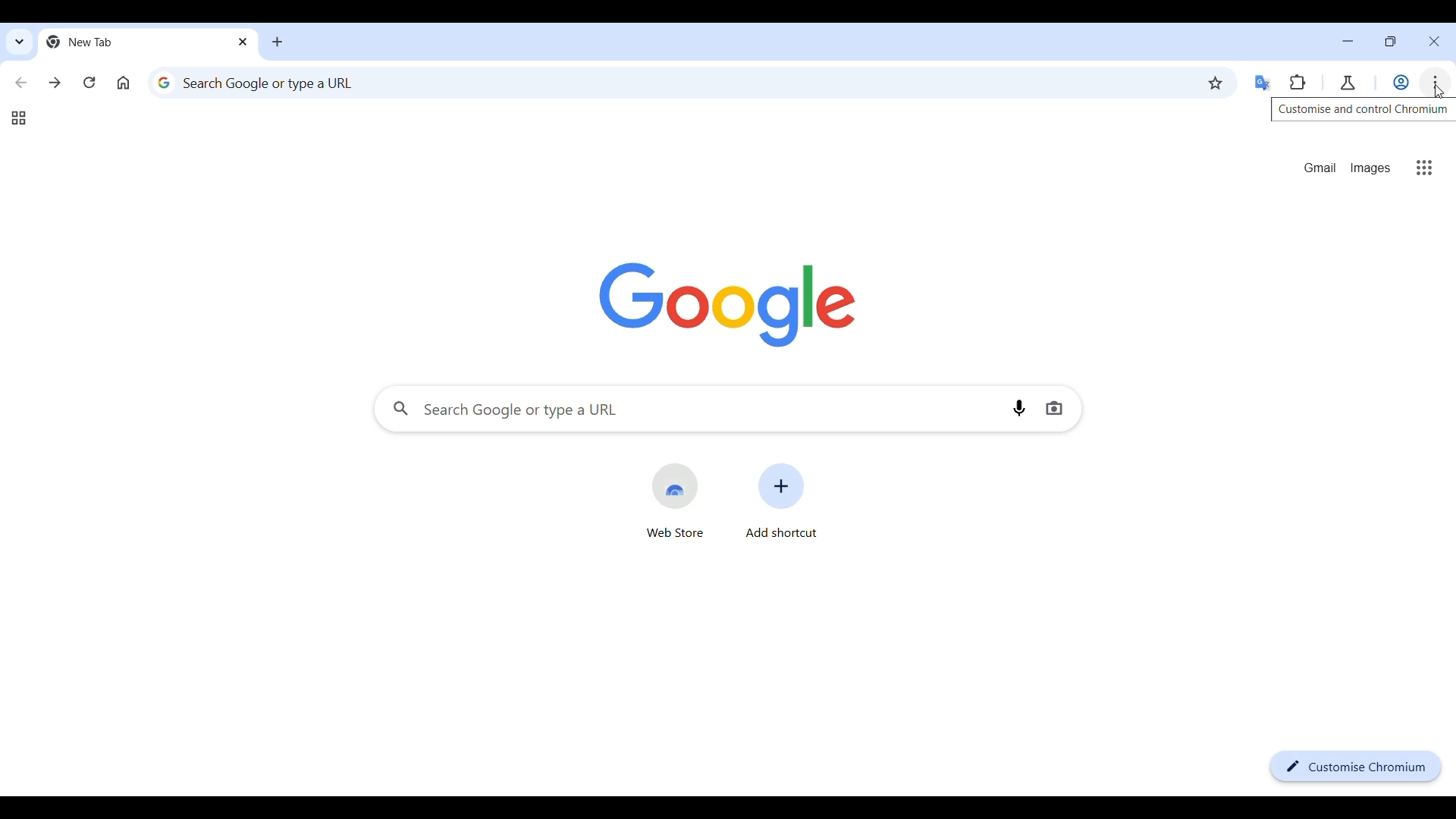 This screenshot has width=1456, height=819. I want to click on Close interface, so click(1434, 42).